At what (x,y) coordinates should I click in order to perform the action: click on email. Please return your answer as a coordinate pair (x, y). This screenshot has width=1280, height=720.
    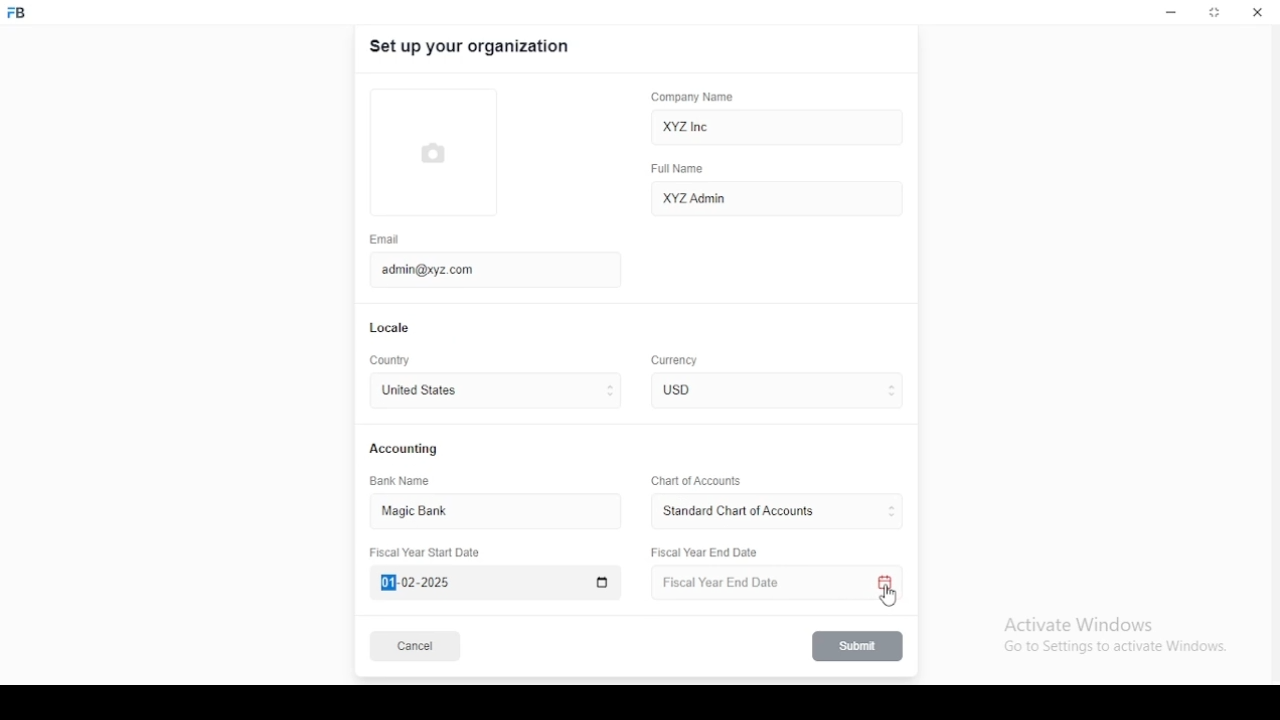
    Looking at the image, I should click on (385, 239).